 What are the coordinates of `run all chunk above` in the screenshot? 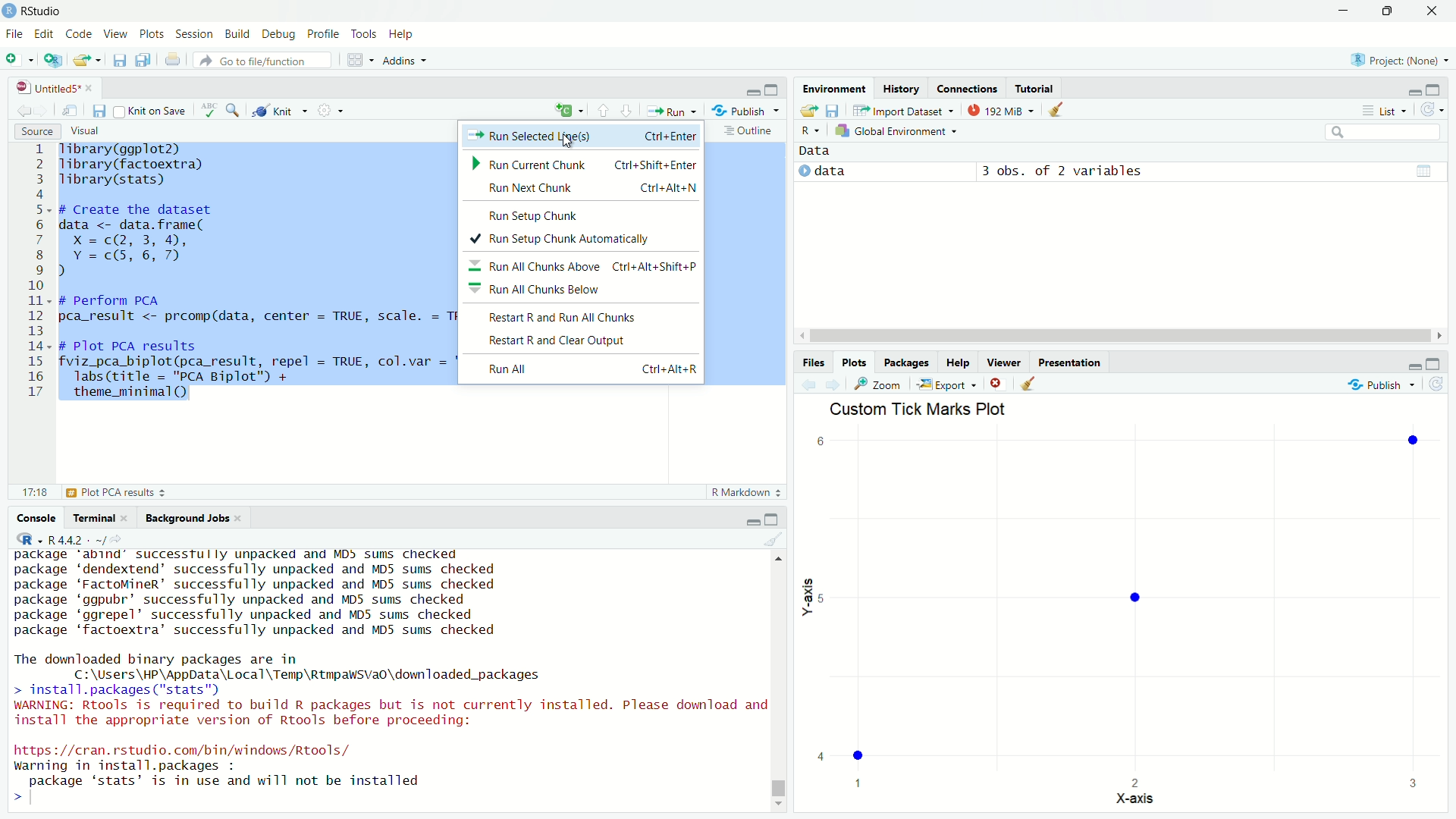 It's located at (584, 265).